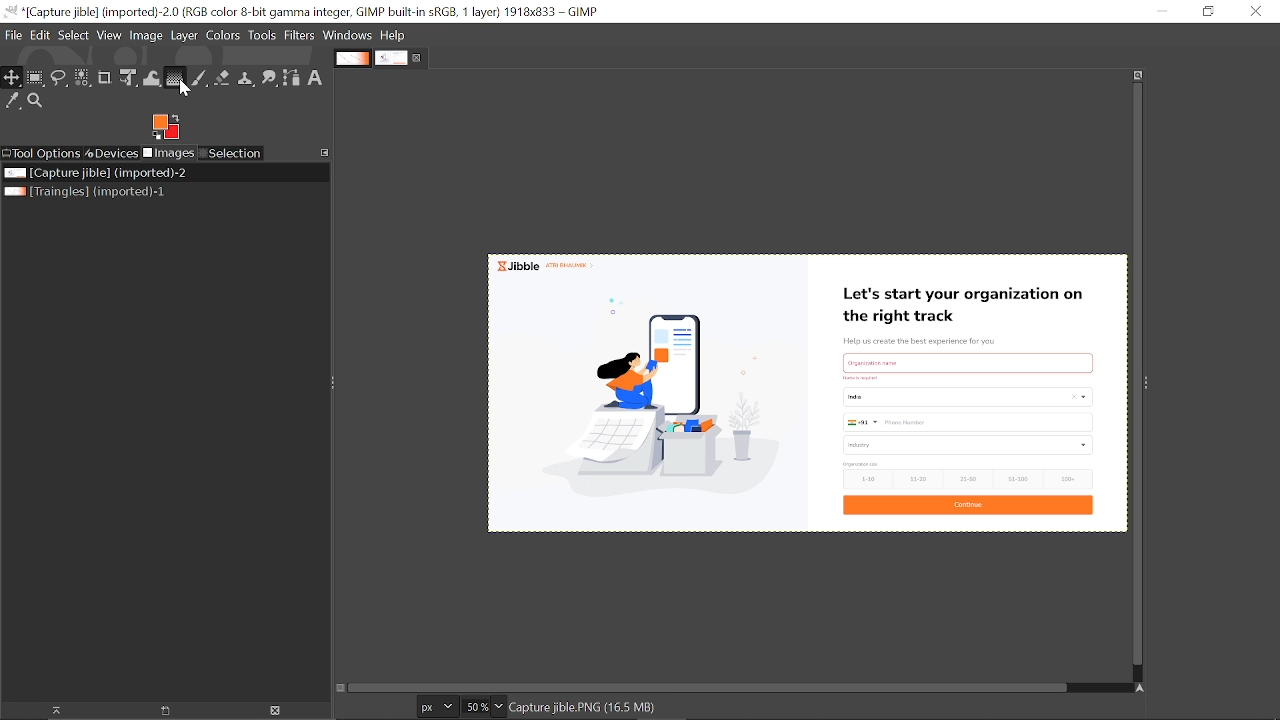 The width and height of the screenshot is (1280, 720). Describe the element at coordinates (185, 36) in the screenshot. I see `Layer` at that location.